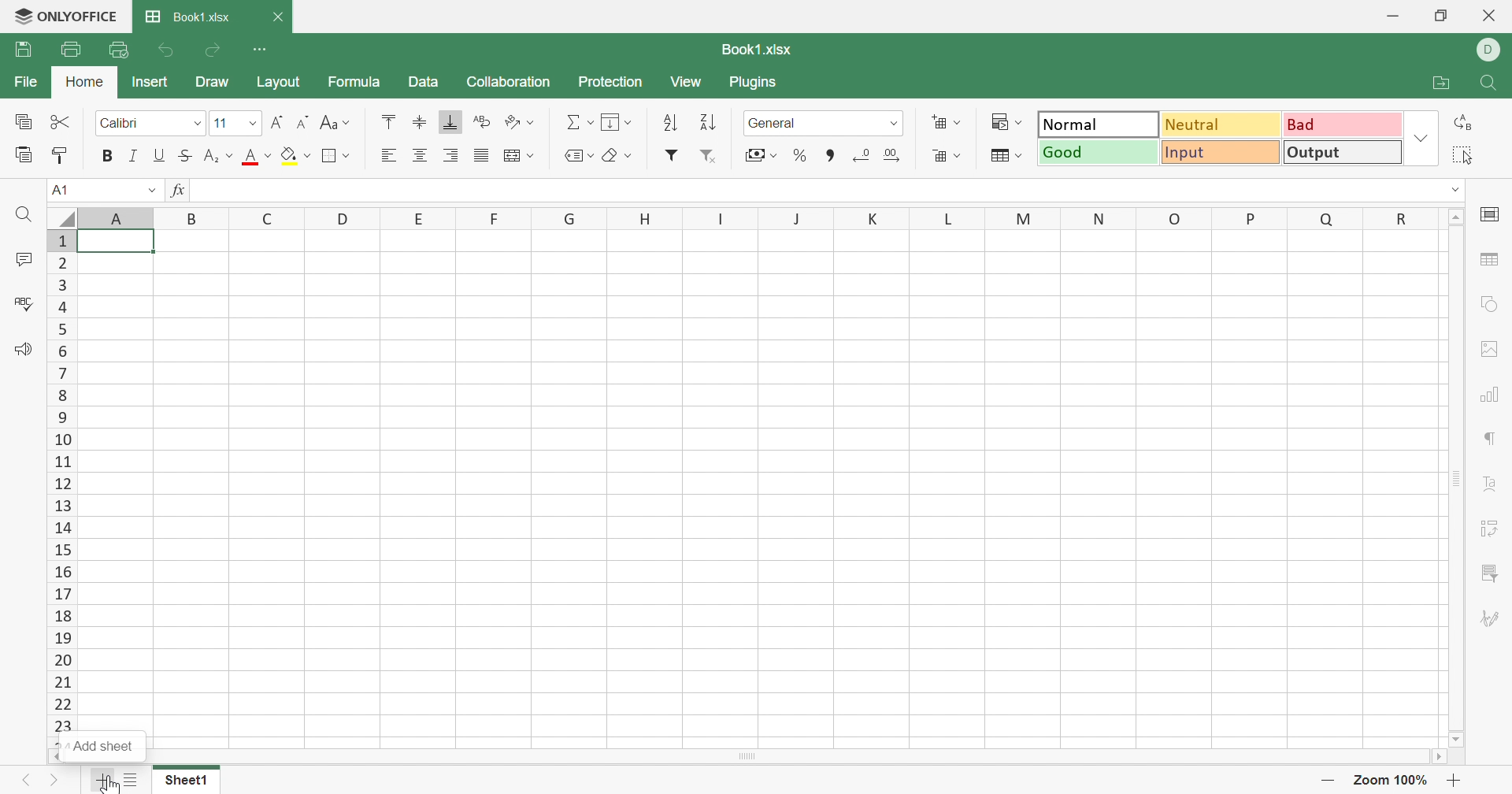 This screenshot has width=1512, height=794. What do you see at coordinates (190, 15) in the screenshot?
I see `Book1.xlsx` at bounding box center [190, 15].